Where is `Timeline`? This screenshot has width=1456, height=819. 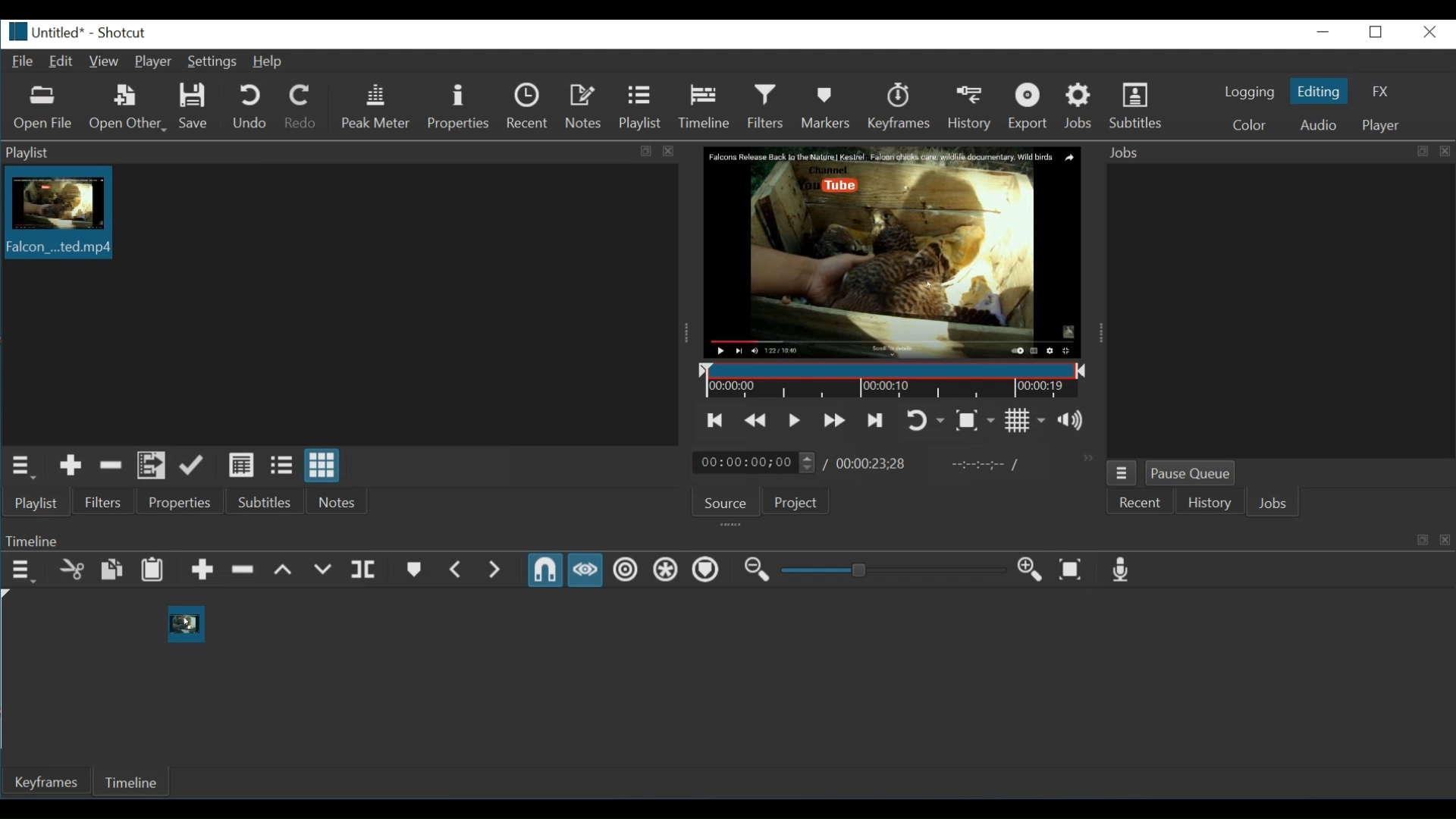
Timeline is located at coordinates (137, 780).